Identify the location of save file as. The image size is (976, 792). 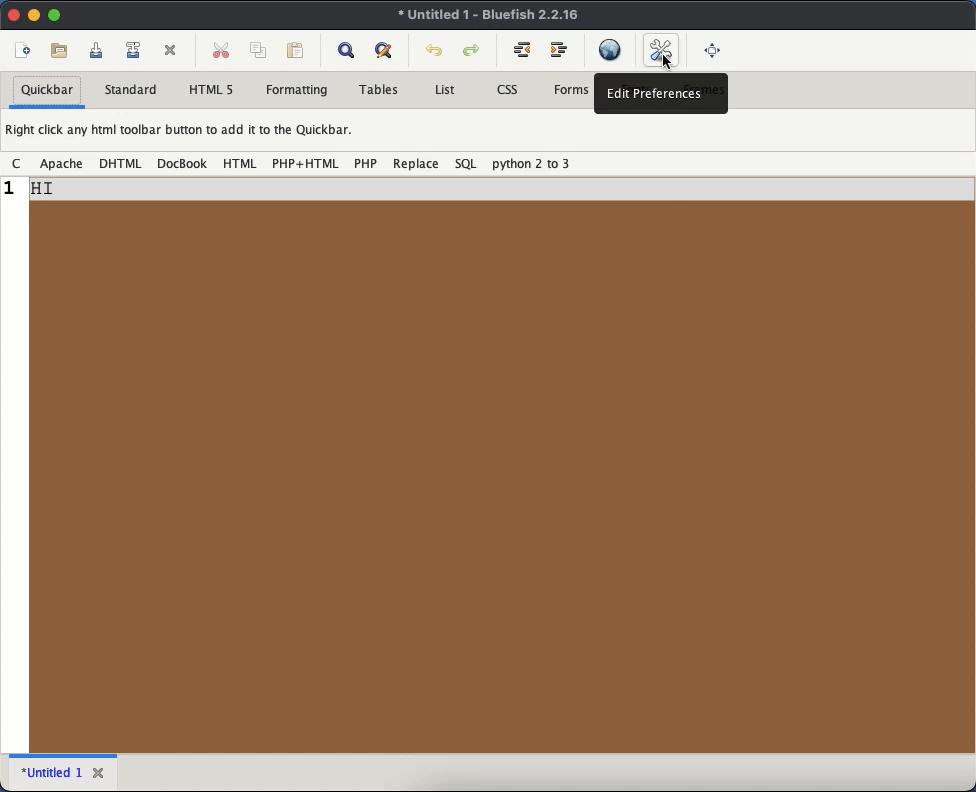
(135, 47).